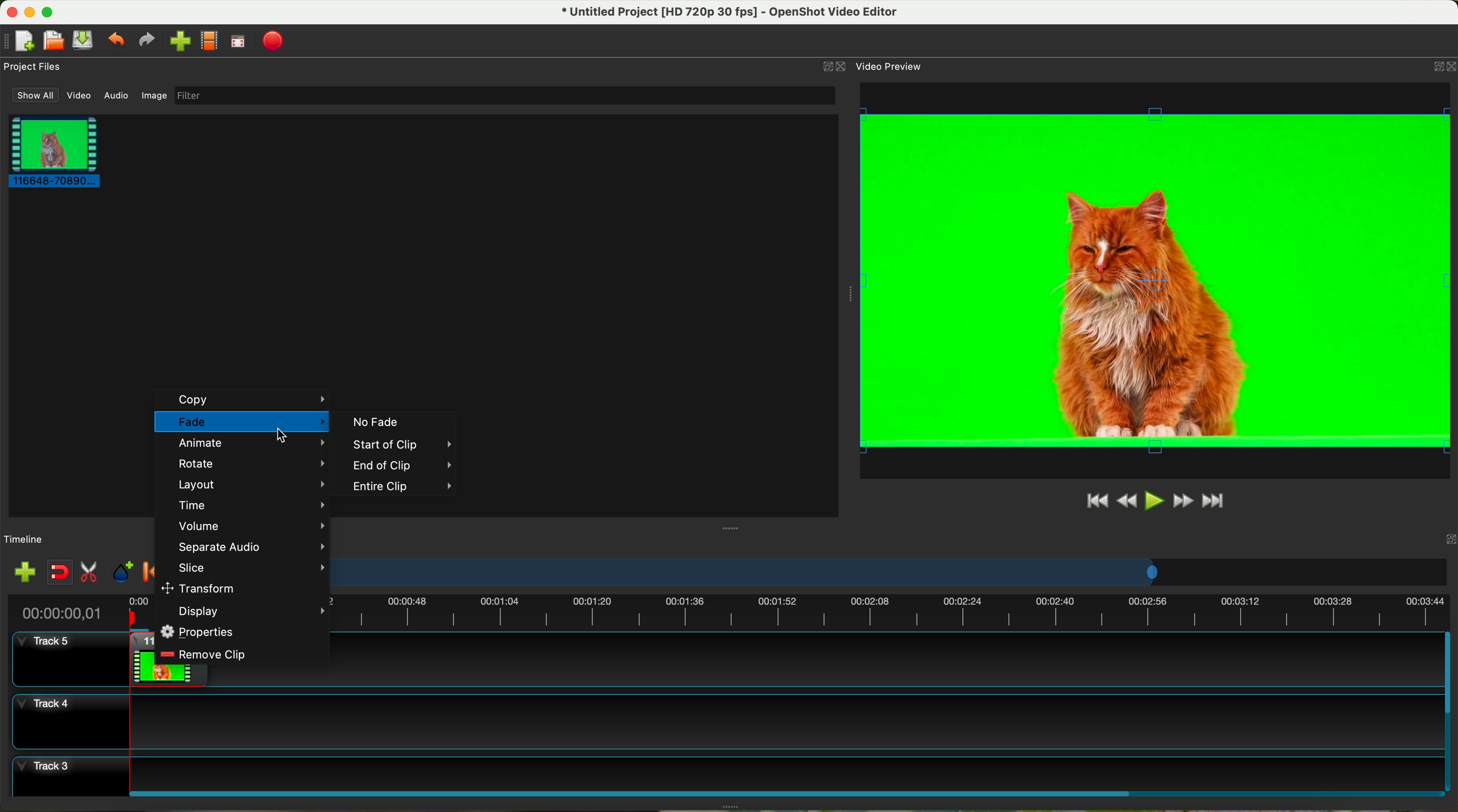 This screenshot has width=1458, height=812. What do you see at coordinates (250, 504) in the screenshot?
I see `time` at bounding box center [250, 504].